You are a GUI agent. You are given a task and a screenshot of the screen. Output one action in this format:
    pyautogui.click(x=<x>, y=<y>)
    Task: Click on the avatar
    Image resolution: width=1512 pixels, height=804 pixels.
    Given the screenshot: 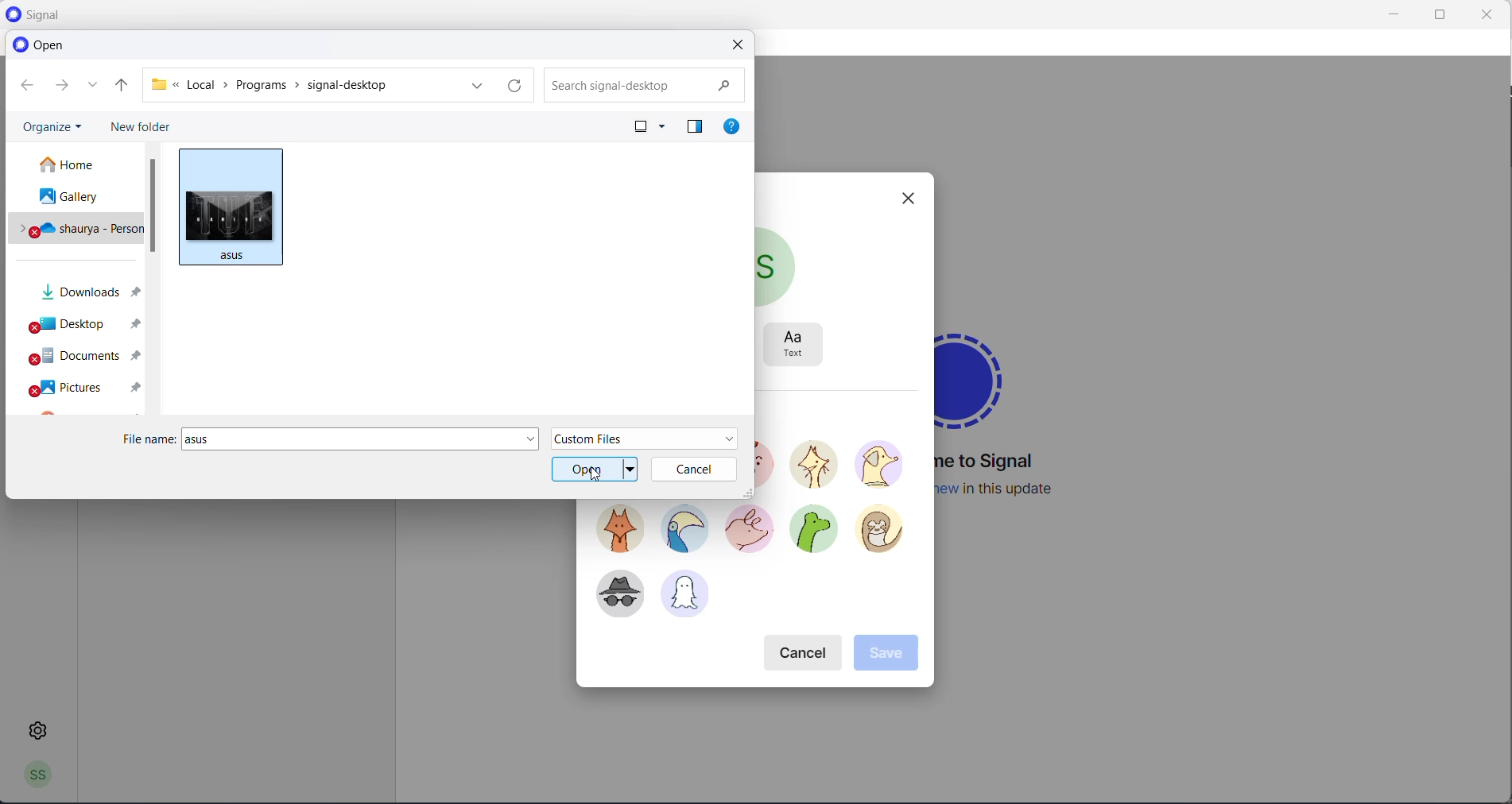 What is the action you would take?
    pyautogui.click(x=883, y=535)
    